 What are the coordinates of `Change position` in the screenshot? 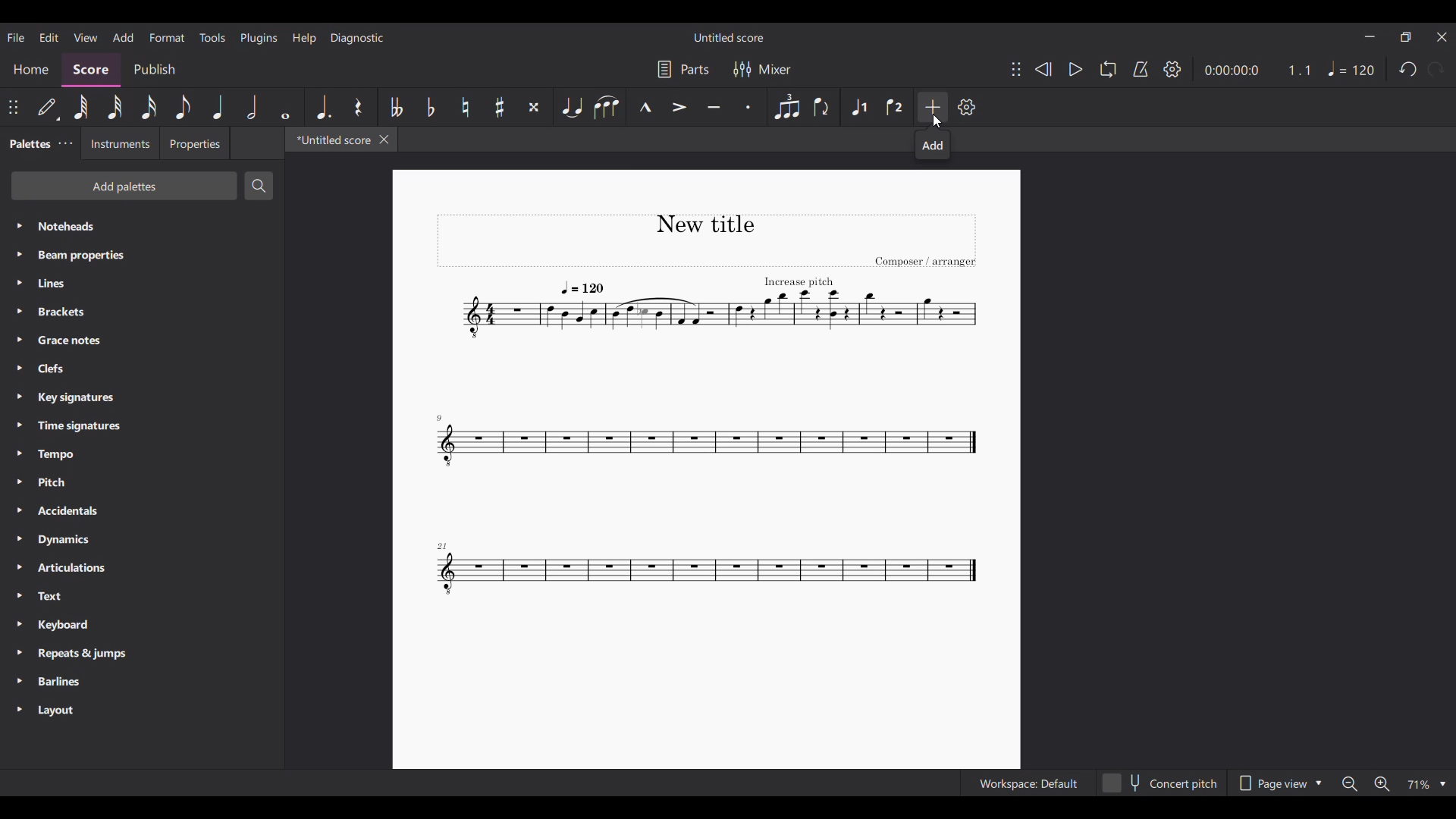 It's located at (13, 107).